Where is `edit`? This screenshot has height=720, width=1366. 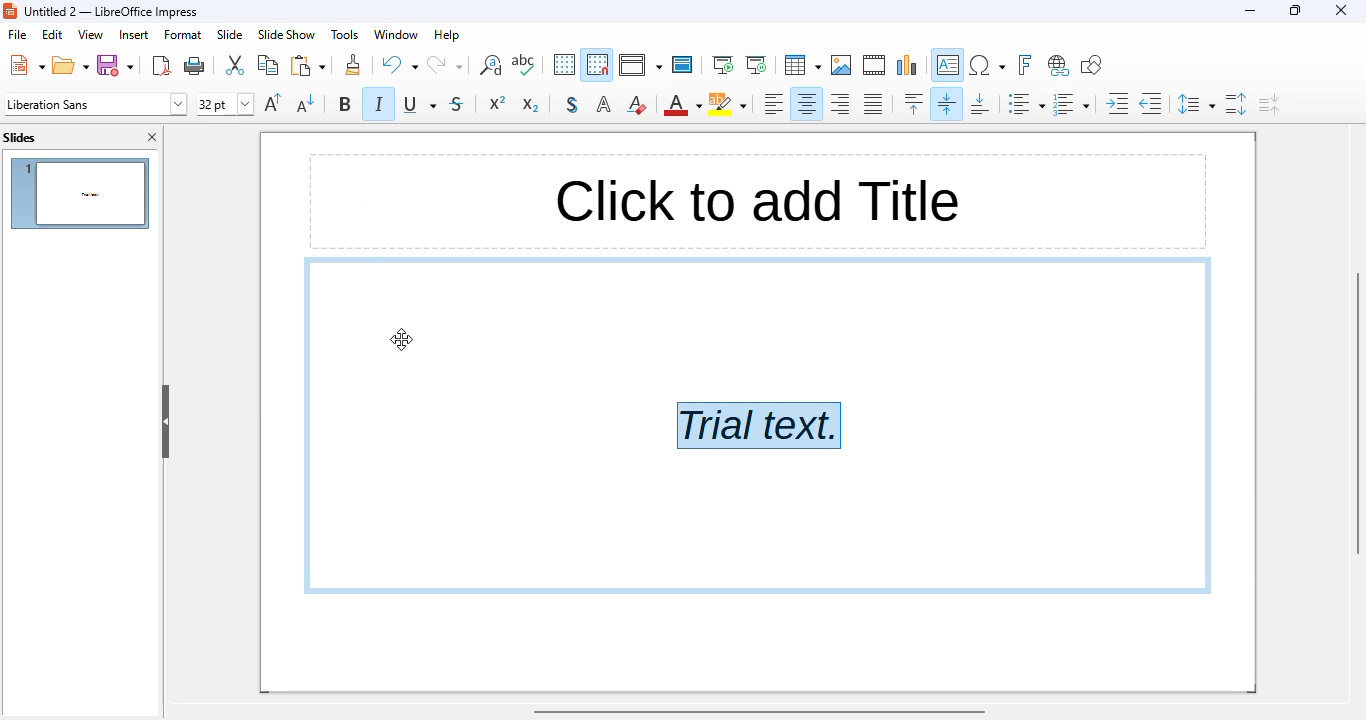
edit is located at coordinates (52, 35).